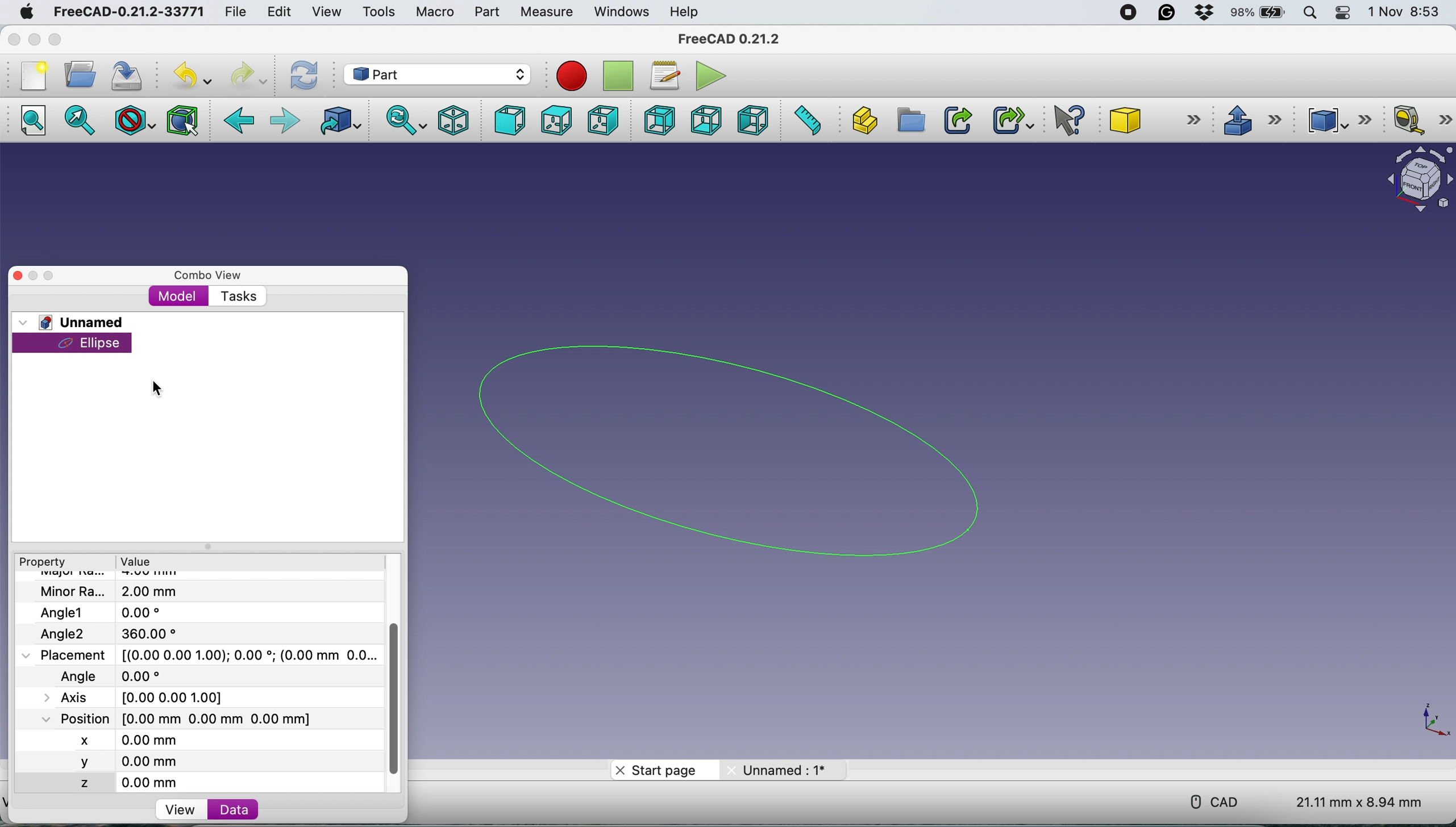 The image size is (1456, 827). I want to click on front, so click(511, 122).